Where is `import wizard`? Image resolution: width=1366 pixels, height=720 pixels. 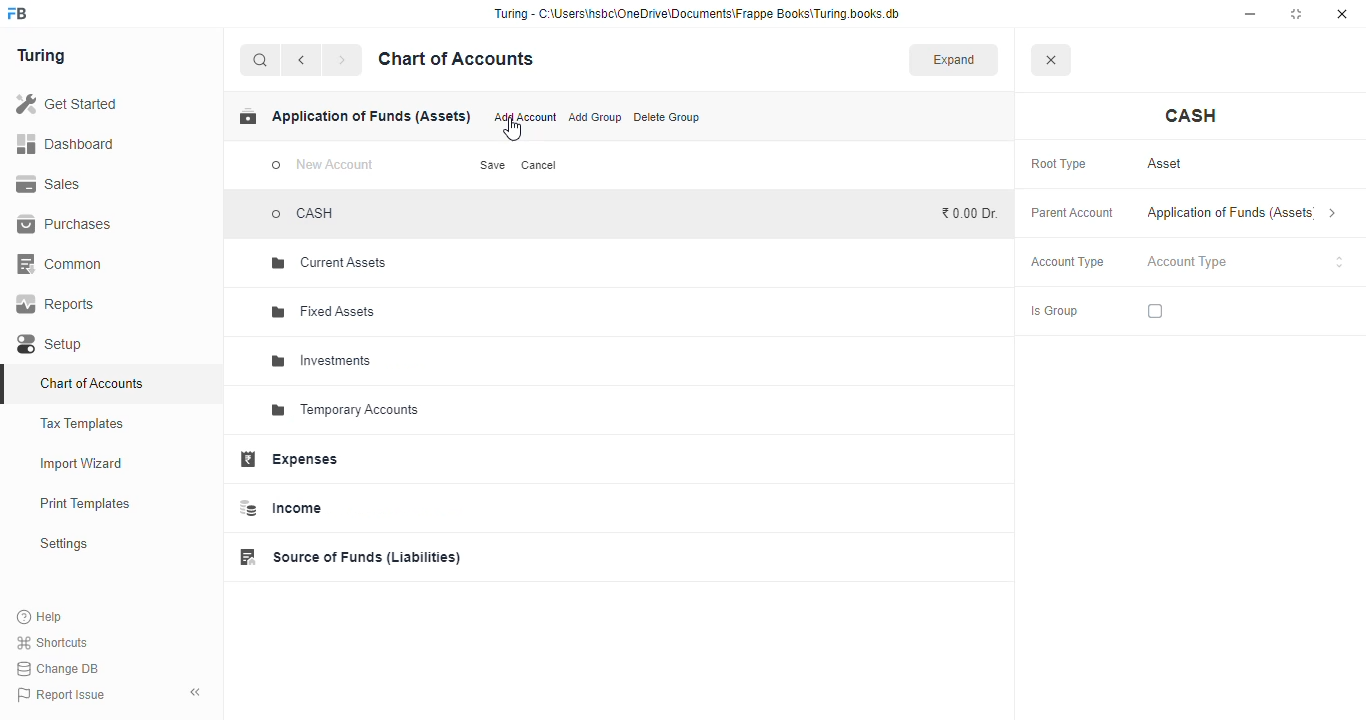
import wizard is located at coordinates (82, 464).